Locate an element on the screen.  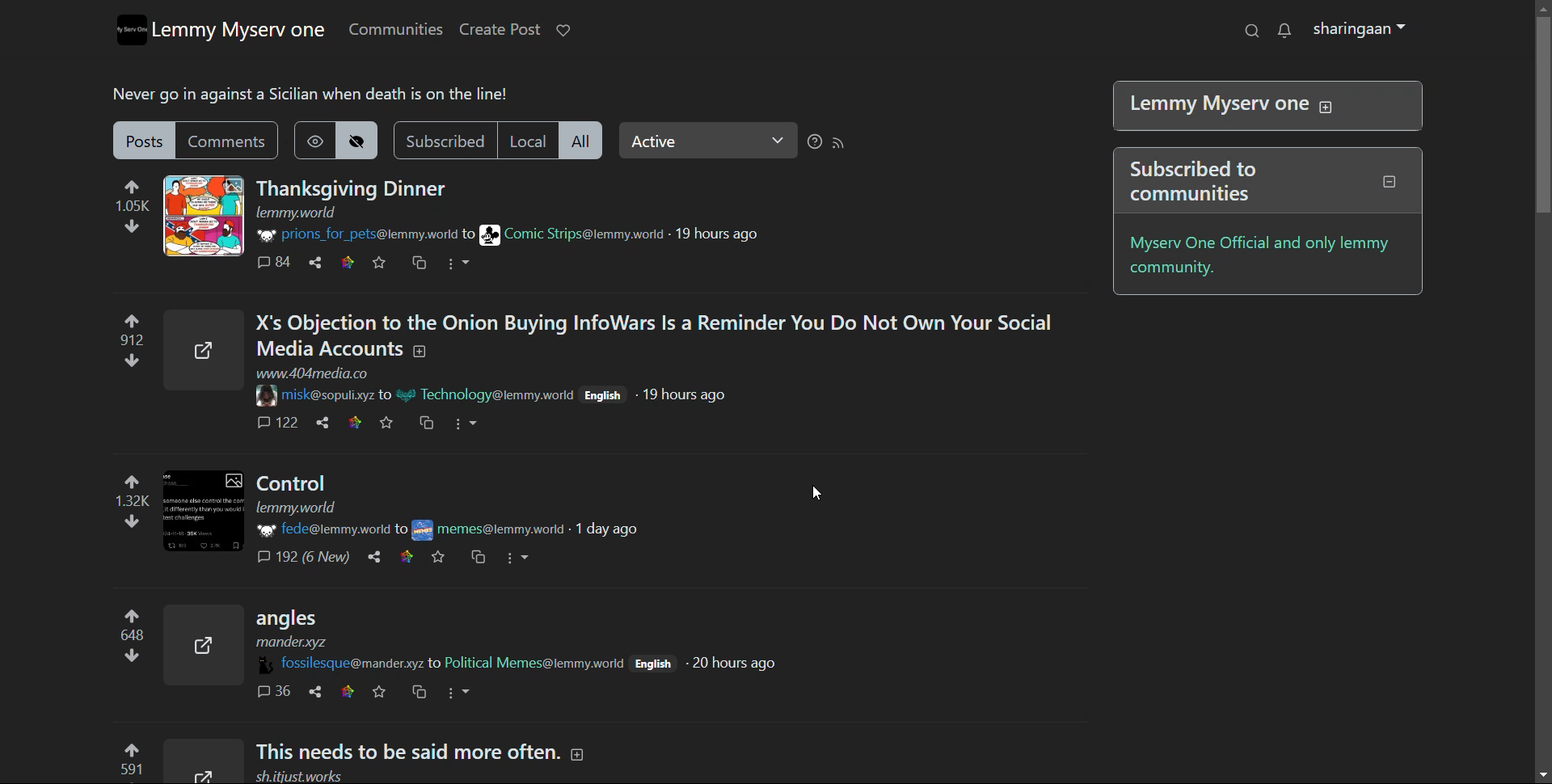
link is located at coordinates (351, 424).